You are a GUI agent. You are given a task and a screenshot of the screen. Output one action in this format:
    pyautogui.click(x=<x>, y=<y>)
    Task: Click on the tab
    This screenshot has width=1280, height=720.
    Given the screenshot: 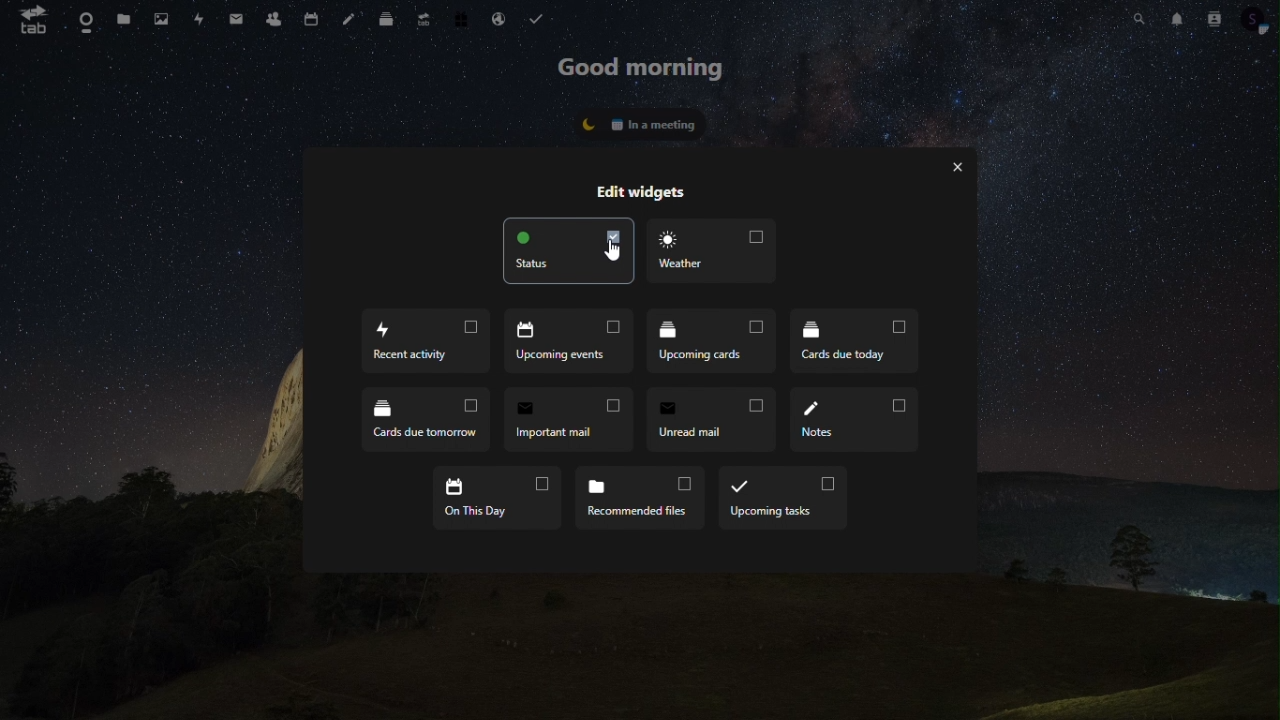 What is the action you would take?
    pyautogui.click(x=28, y=20)
    